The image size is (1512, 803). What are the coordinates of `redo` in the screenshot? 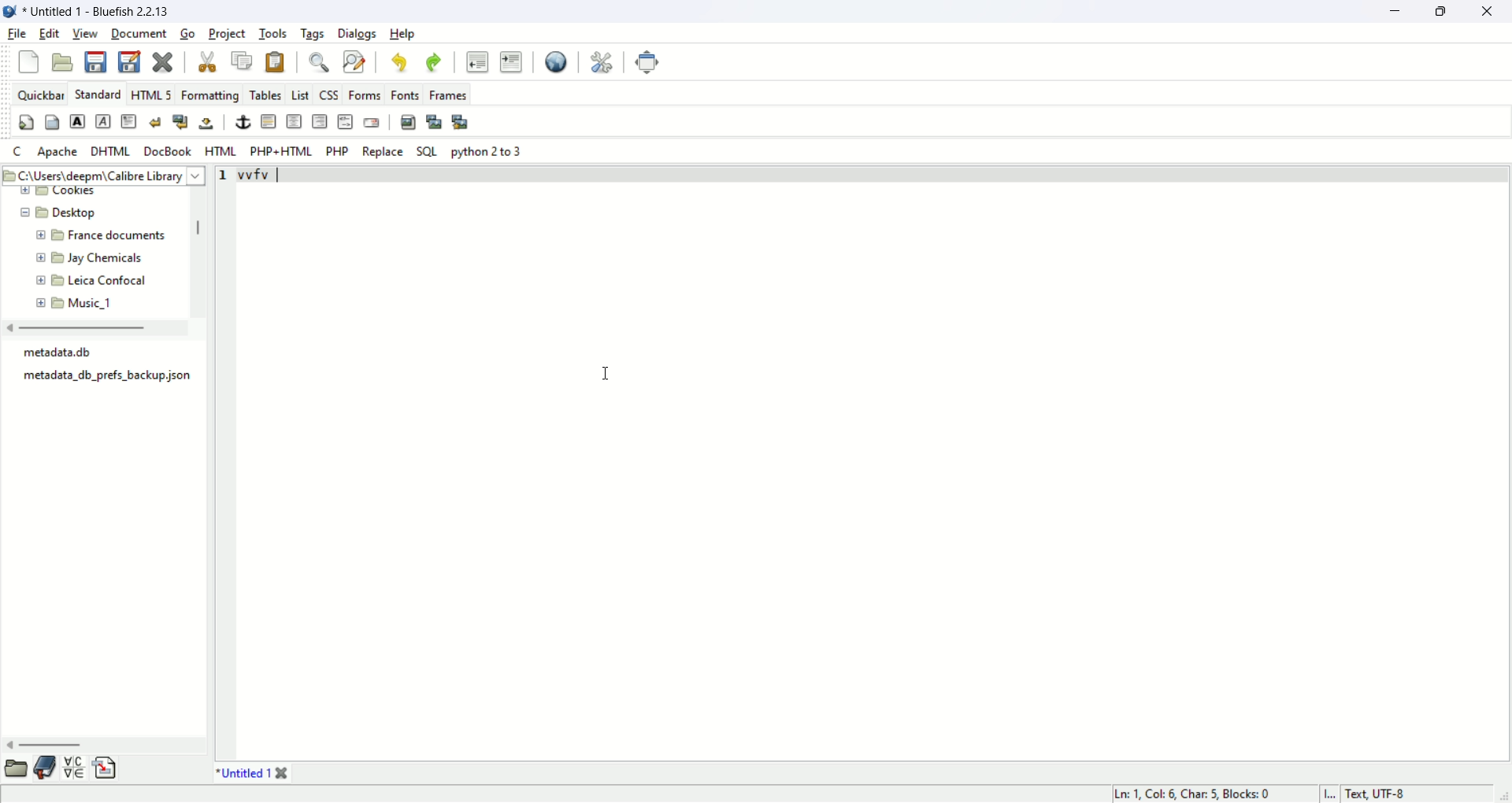 It's located at (443, 63).